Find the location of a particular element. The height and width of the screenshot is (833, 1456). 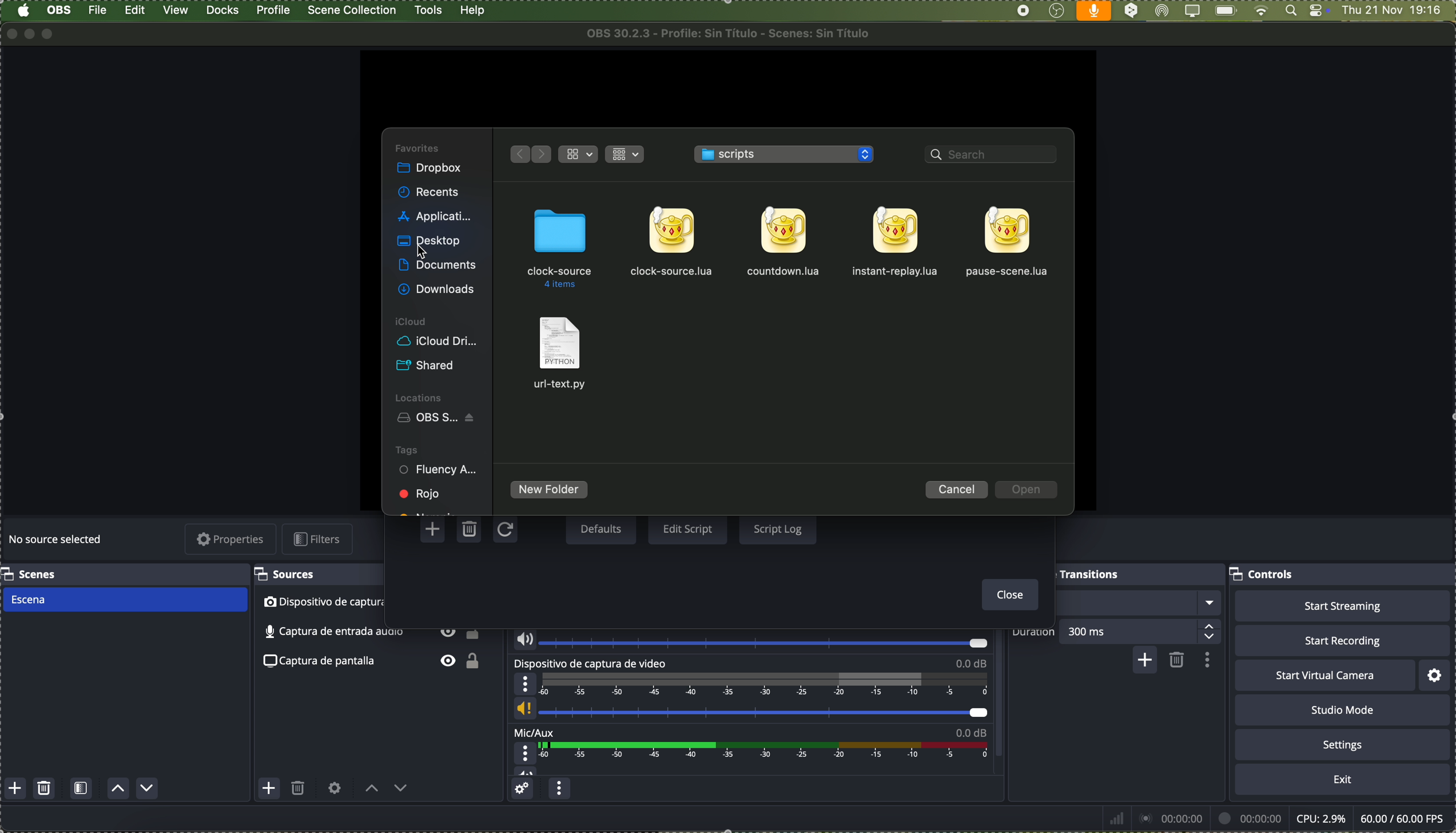

audio input capture is located at coordinates (748, 619).